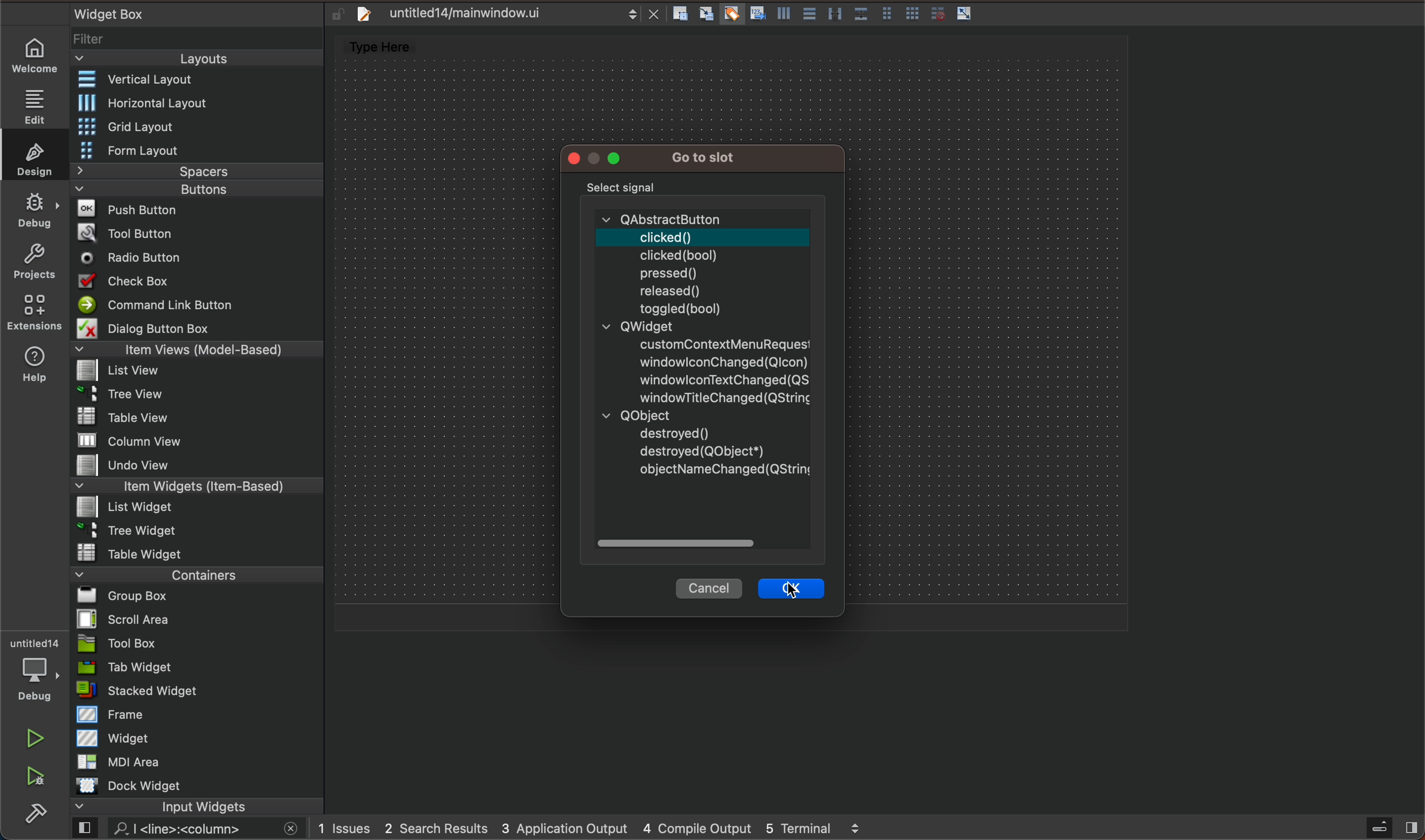 This screenshot has width=1425, height=840. What do you see at coordinates (188, 807) in the screenshot?
I see `input widget` at bounding box center [188, 807].